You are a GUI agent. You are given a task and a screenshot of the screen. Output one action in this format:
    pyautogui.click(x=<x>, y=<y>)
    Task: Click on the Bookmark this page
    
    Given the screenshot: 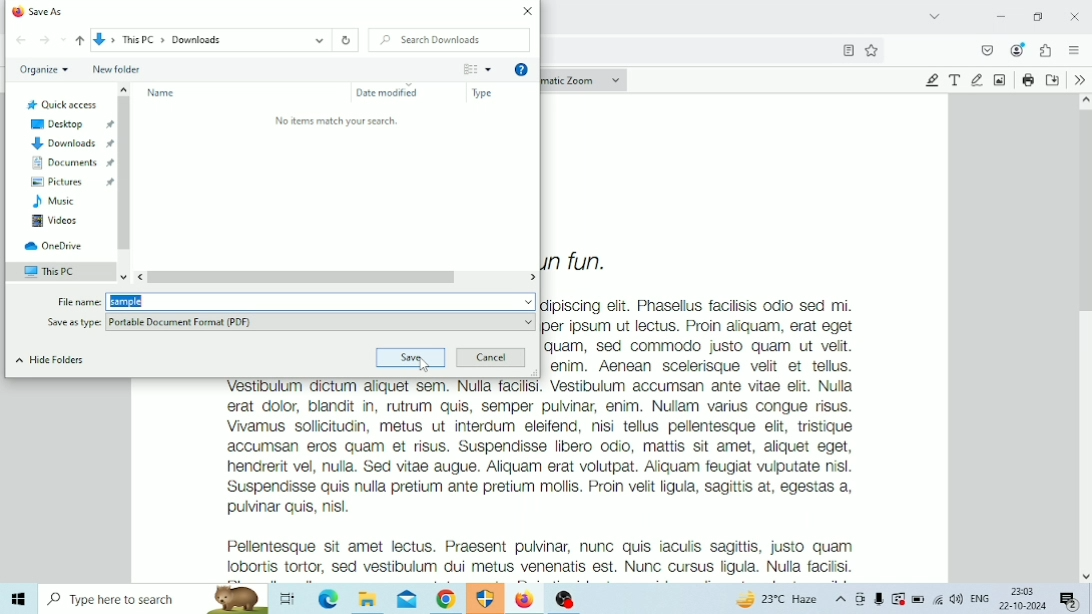 What is the action you would take?
    pyautogui.click(x=849, y=50)
    